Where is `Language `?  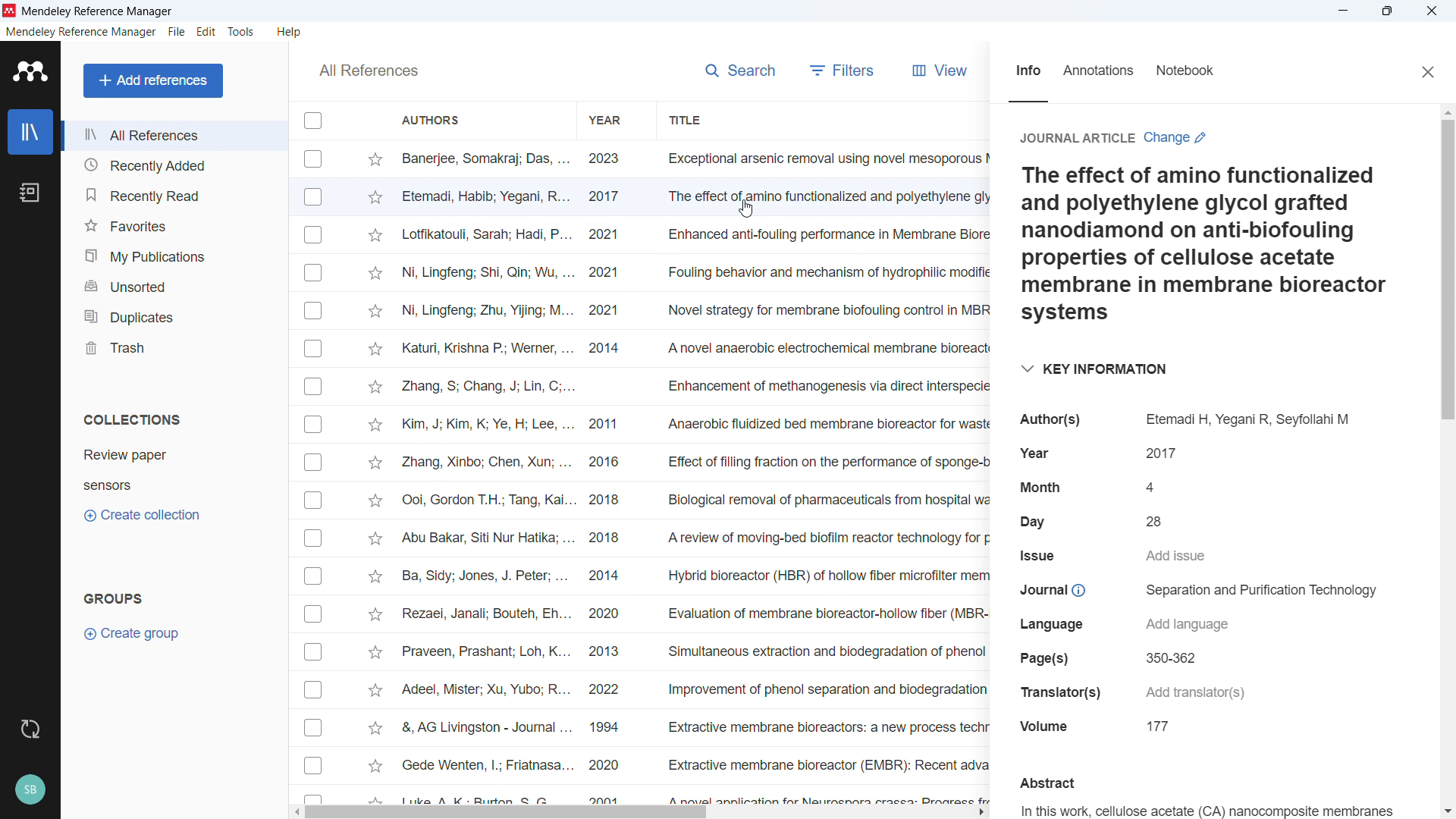
Language  is located at coordinates (1123, 626).